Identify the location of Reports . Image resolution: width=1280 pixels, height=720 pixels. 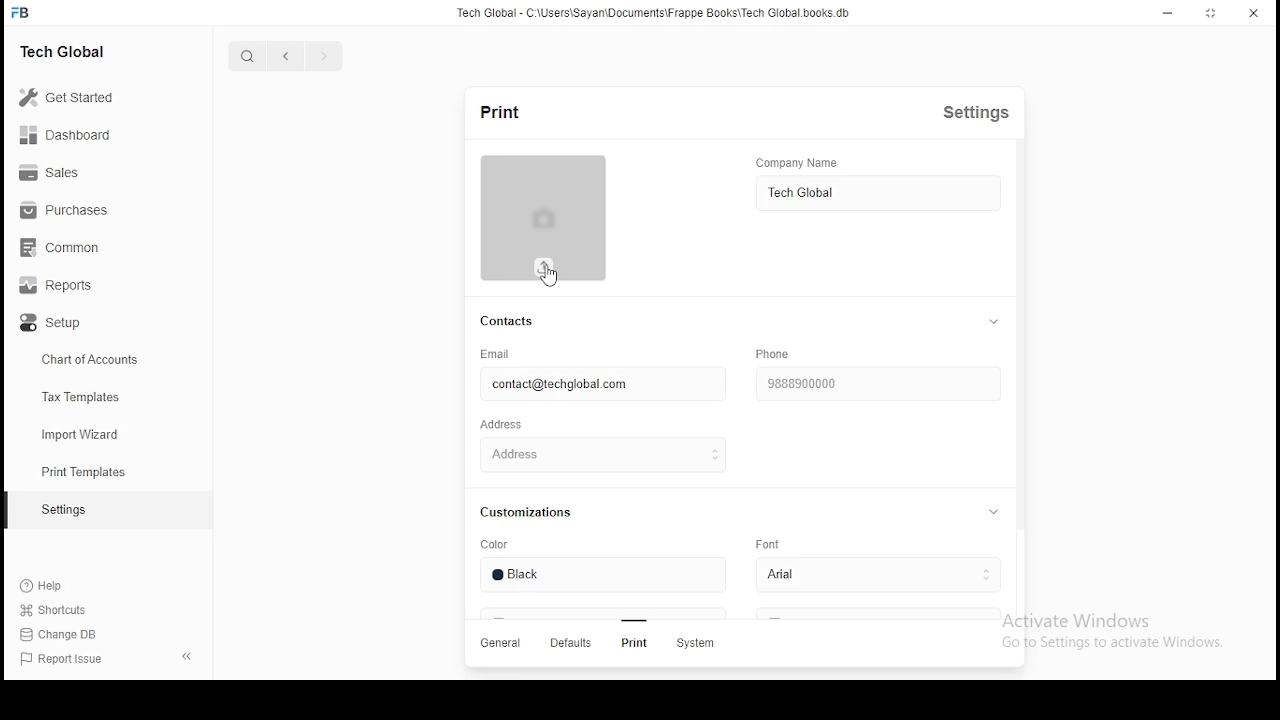
(82, 288).